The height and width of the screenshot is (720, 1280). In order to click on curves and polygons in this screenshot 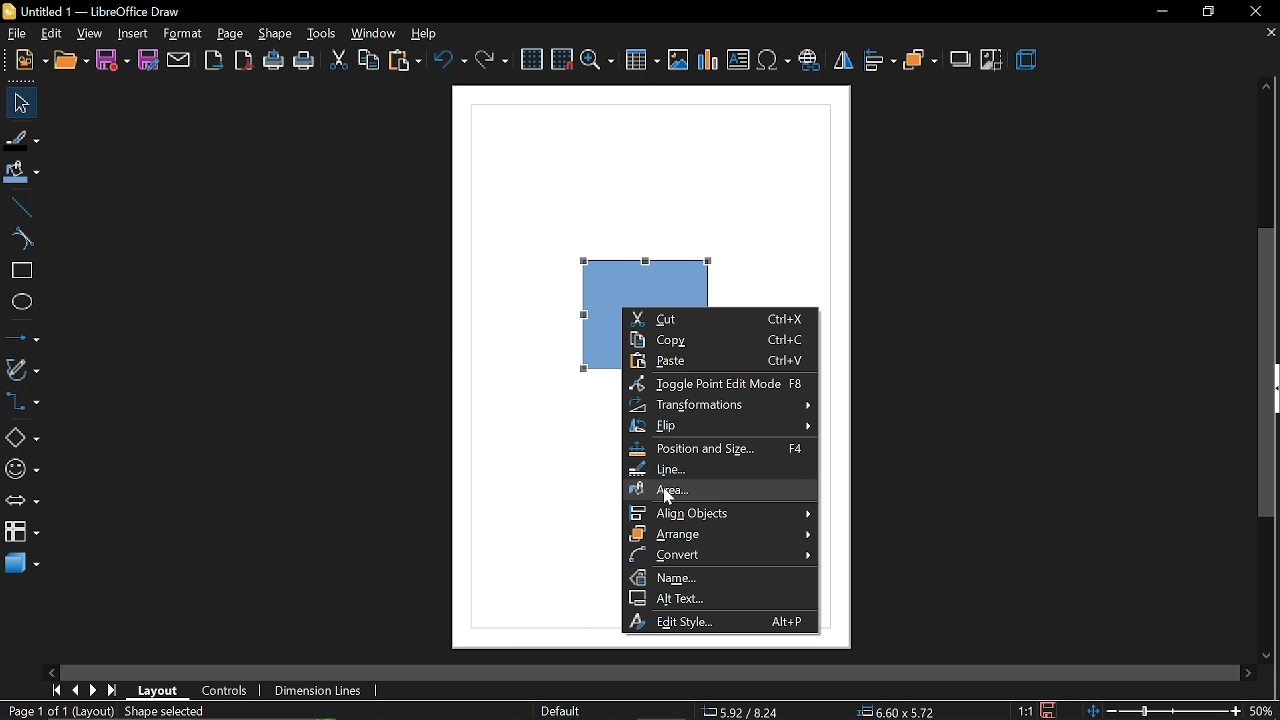, I will do `click(22, 370)`.